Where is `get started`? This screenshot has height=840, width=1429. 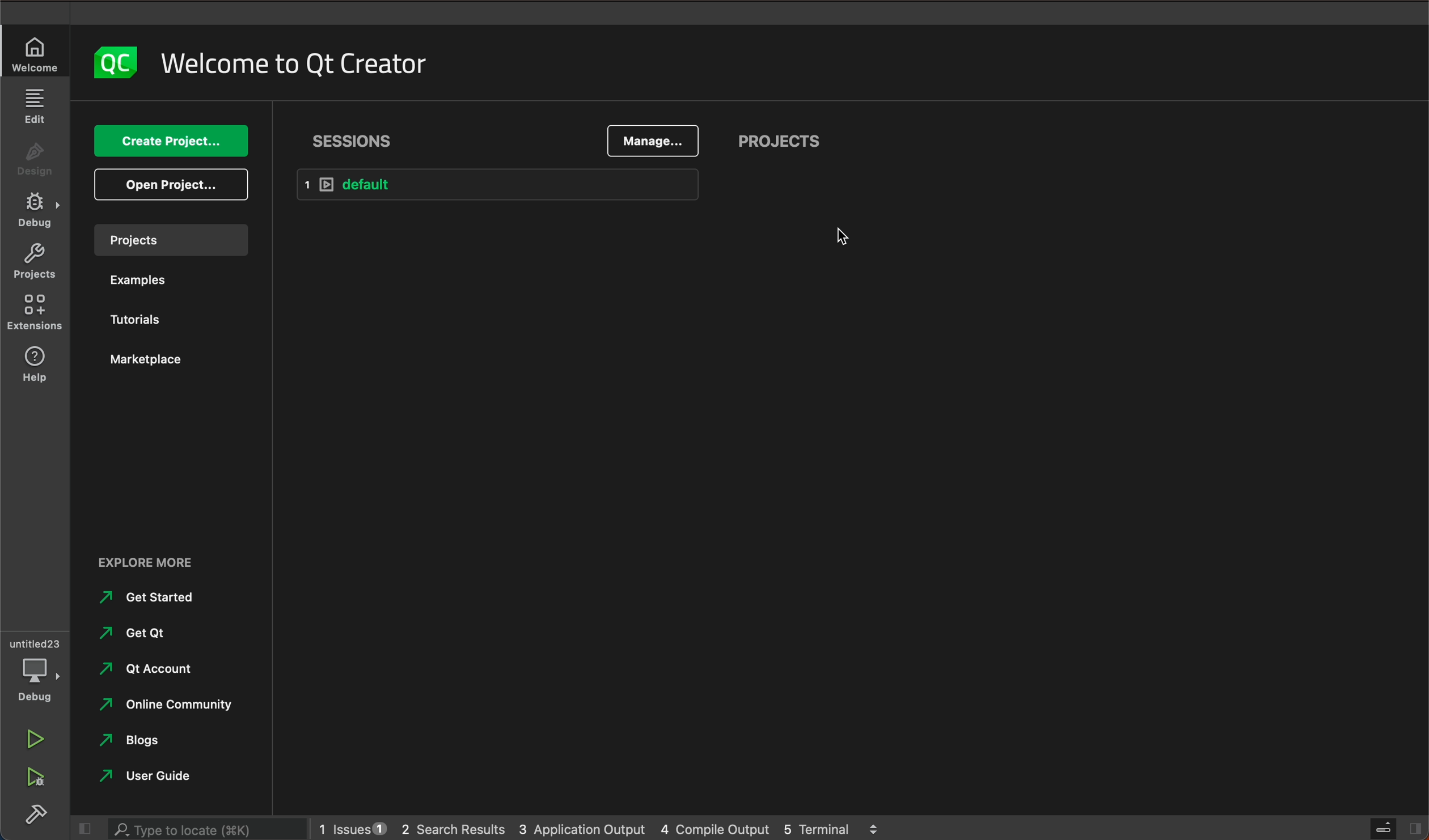 get started is located at coordinates (154, 598).